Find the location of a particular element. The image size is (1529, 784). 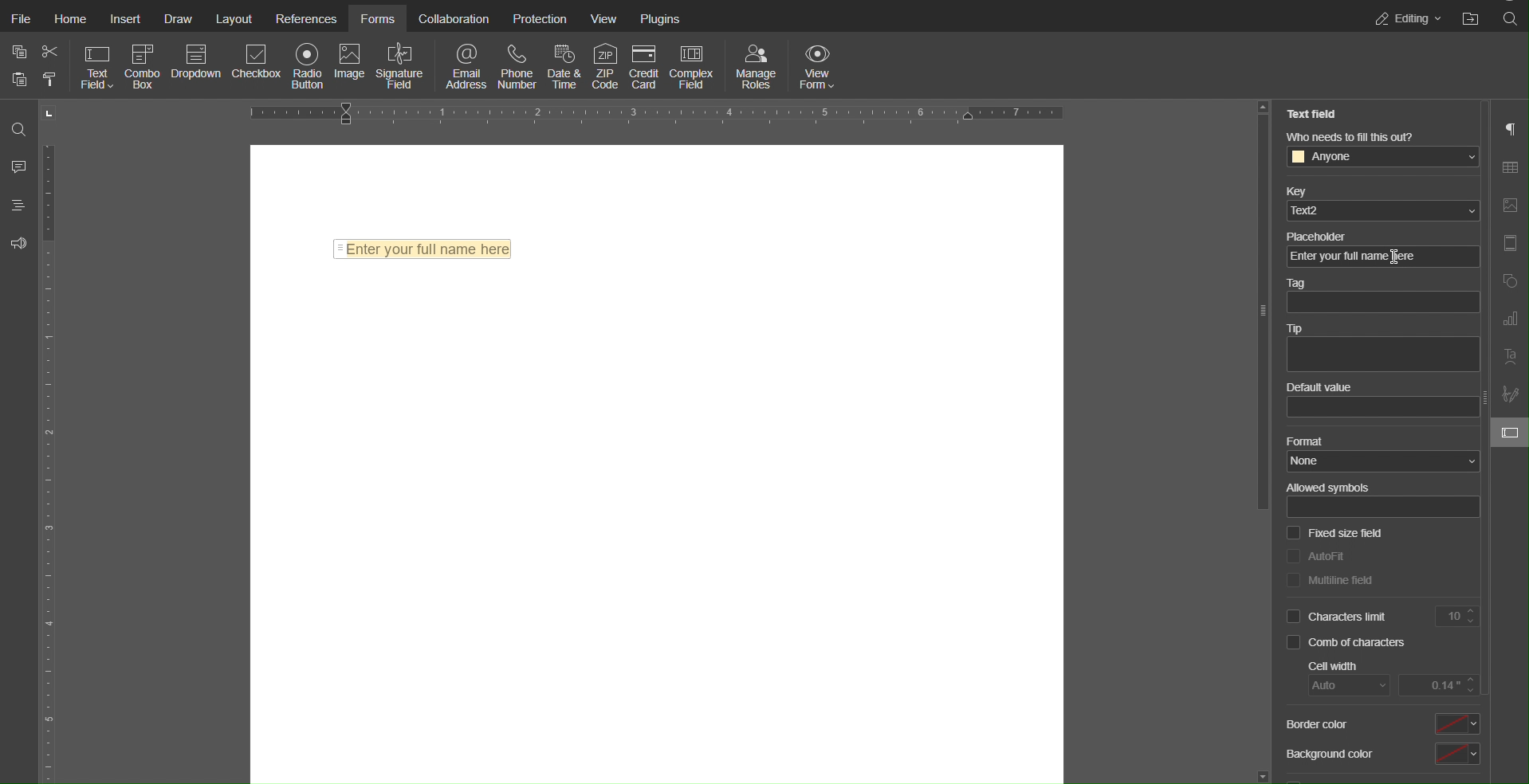

Default value is located at coordinates (1379, 401).